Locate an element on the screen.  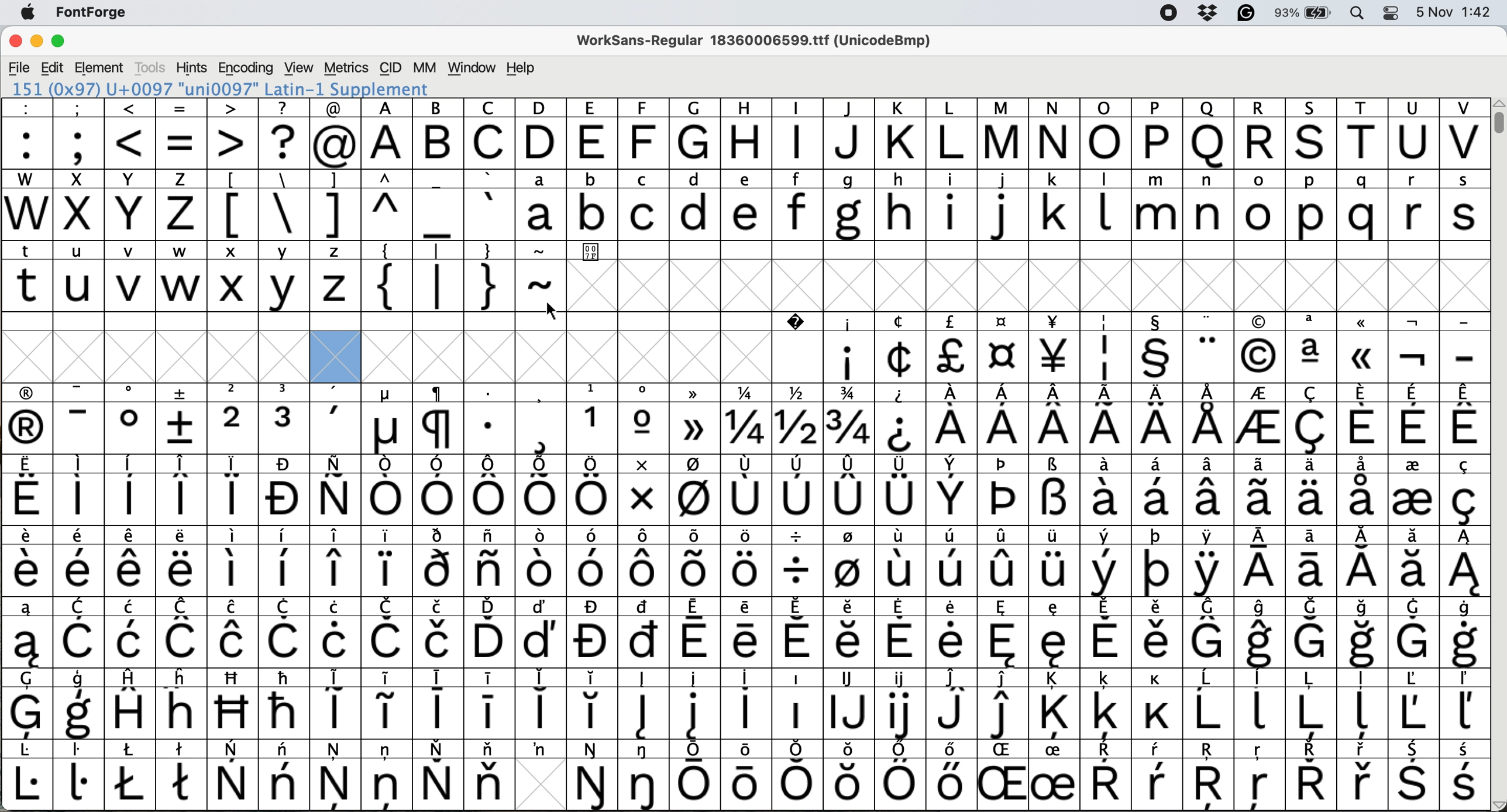
symbol is located at coordinates (1157, 775).